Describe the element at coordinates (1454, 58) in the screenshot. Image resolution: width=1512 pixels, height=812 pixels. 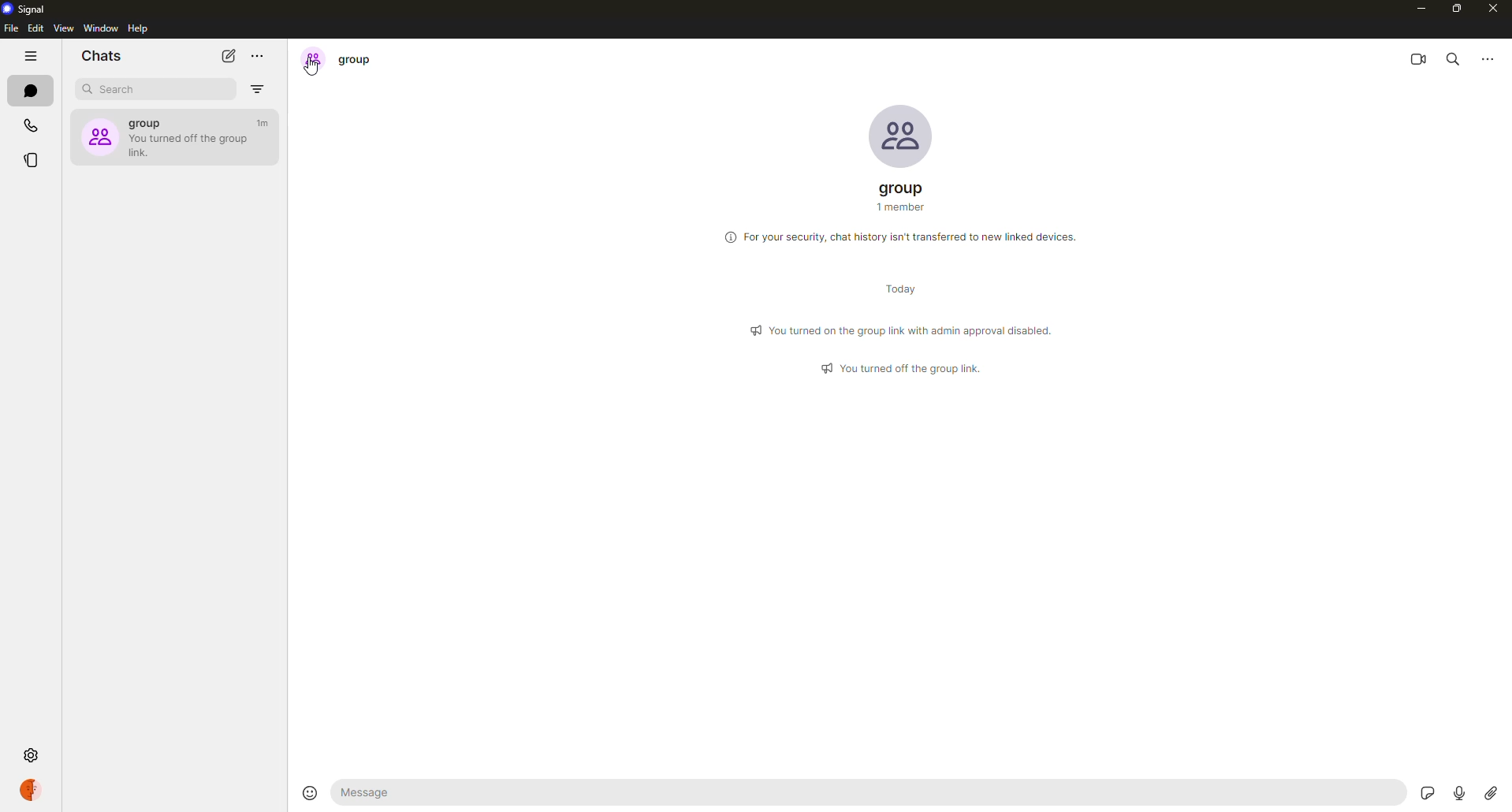
I see `search` at that location.